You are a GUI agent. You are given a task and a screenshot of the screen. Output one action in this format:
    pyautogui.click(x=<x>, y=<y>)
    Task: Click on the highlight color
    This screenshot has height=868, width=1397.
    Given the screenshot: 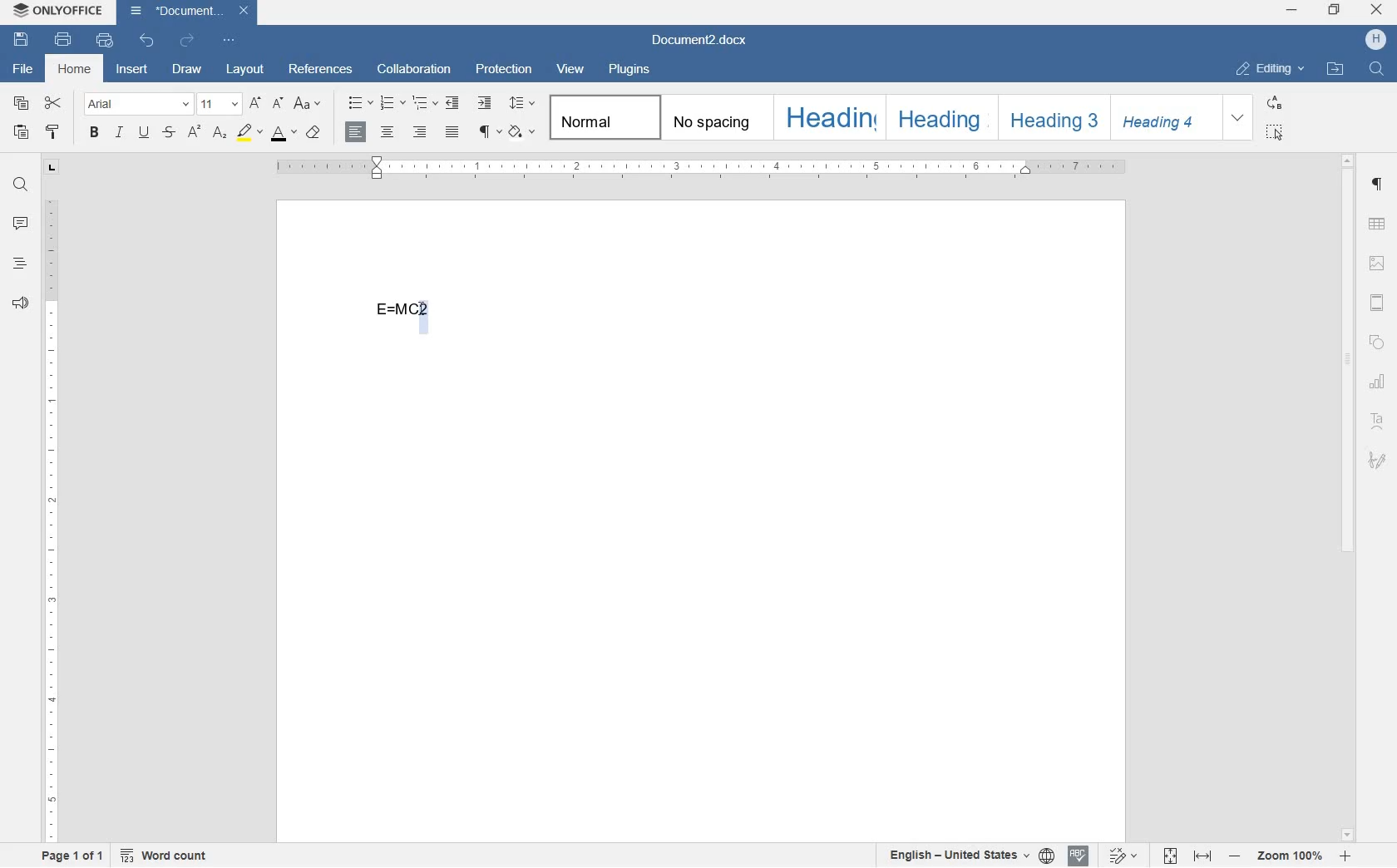 What is the action you would take?
    pyautogui.click(x=249, y=133)
    